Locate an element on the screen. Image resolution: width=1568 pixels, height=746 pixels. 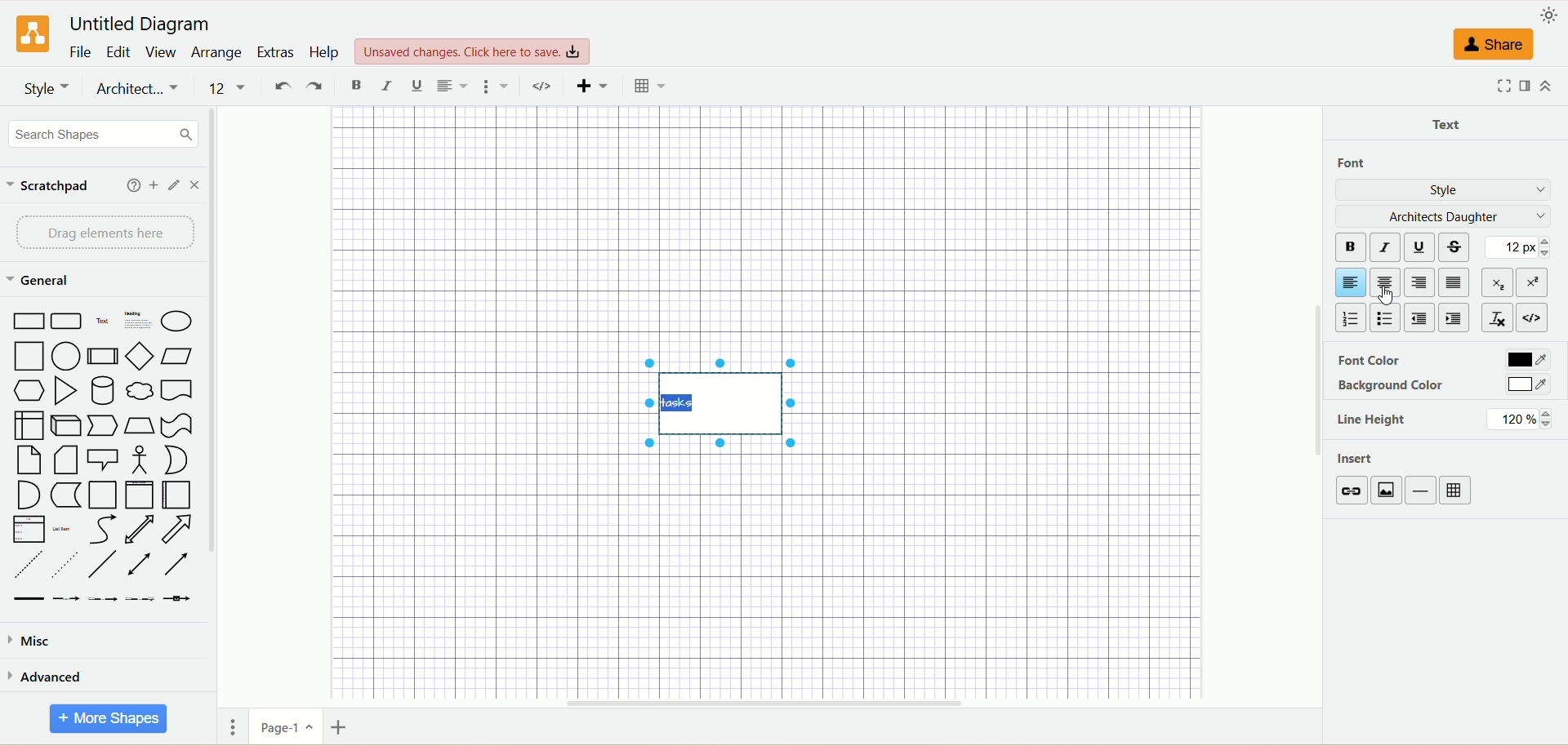
Dotted Line is located at coordinates (29, 566).